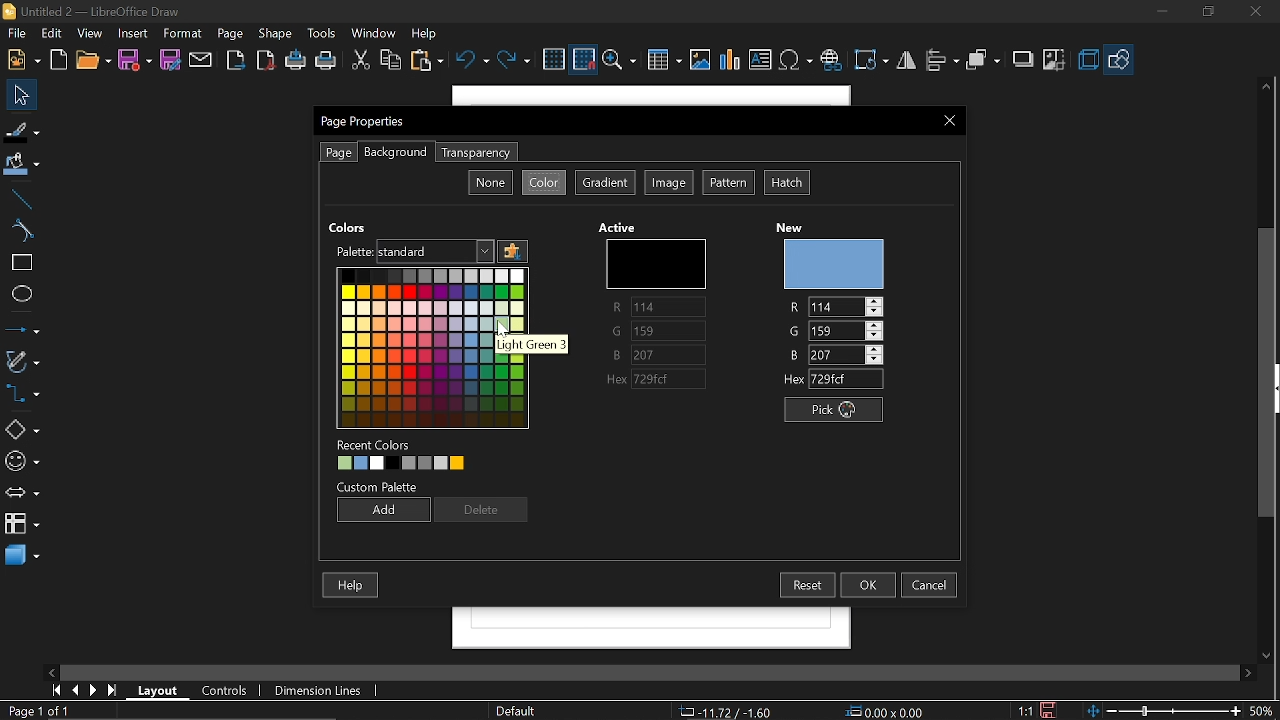 The width and height of the screenshot is (1280, 720). What do you see at coordinates (350, 584) in the screenshot?
I see `Help` at bounding box center [350, 584].